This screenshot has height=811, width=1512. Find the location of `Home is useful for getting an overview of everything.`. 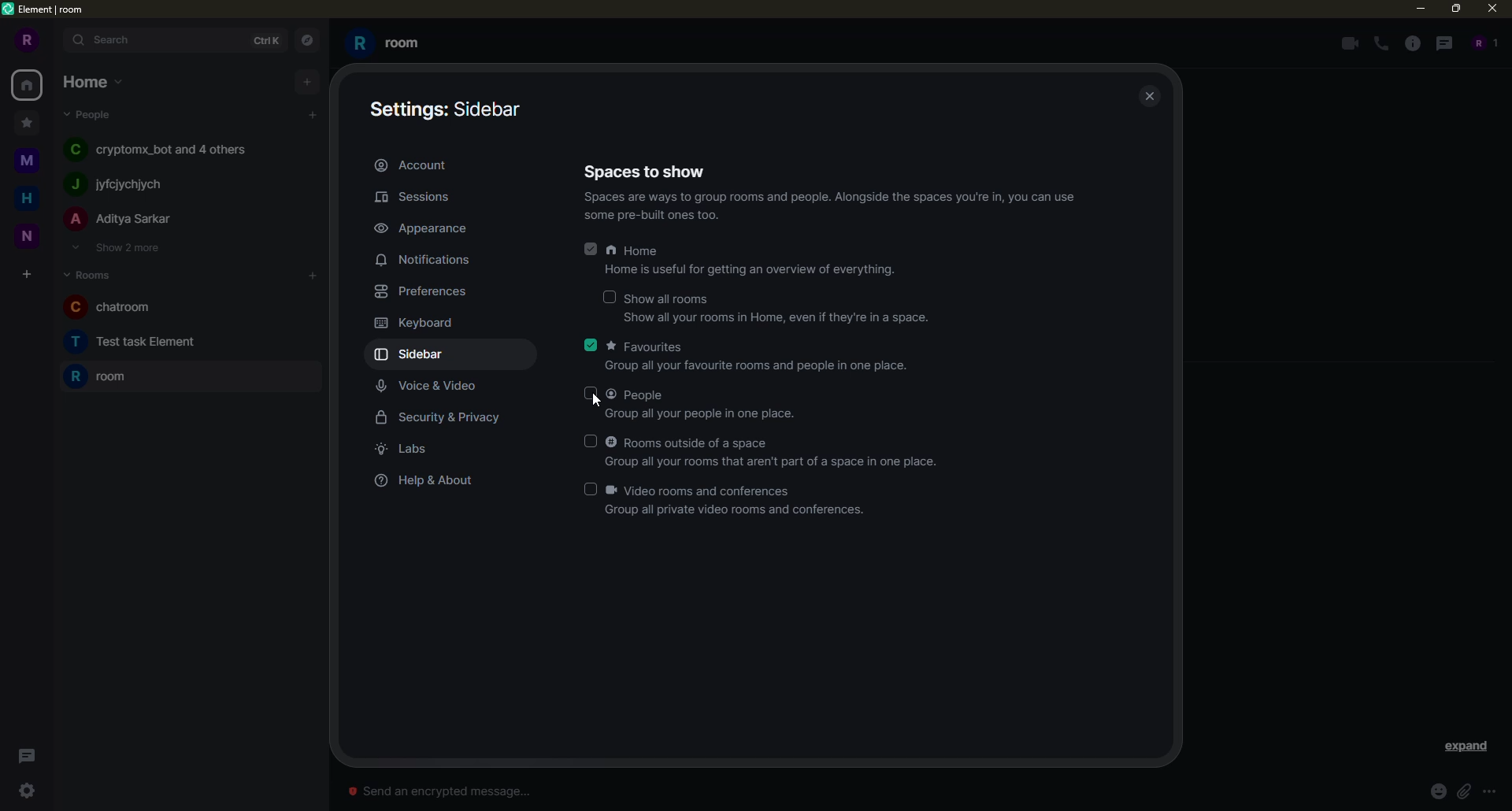

Home is useful for getting an overview of everything. is located at coordinates (733, 273).